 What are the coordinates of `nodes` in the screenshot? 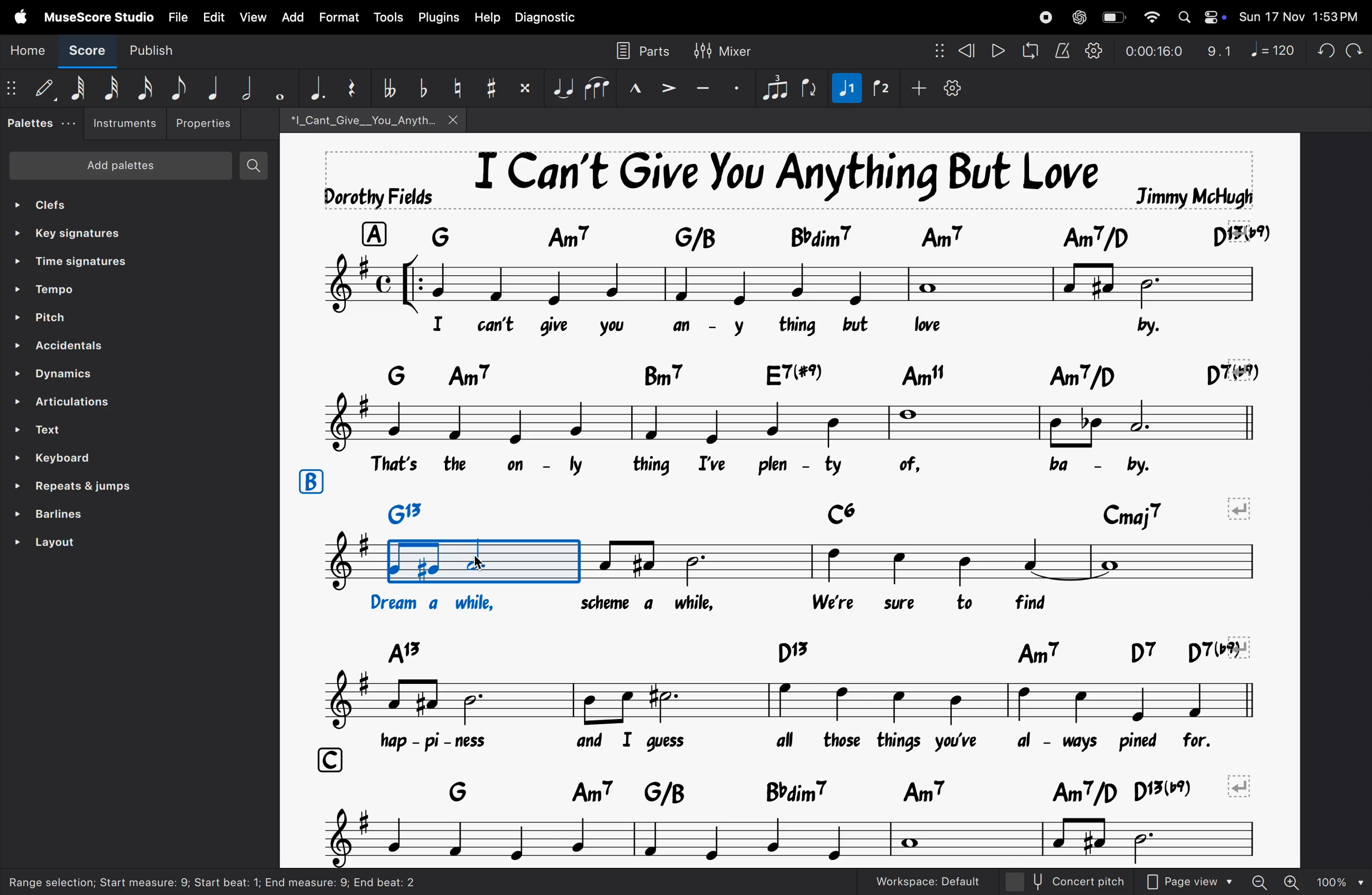 It's located at (933, 48).